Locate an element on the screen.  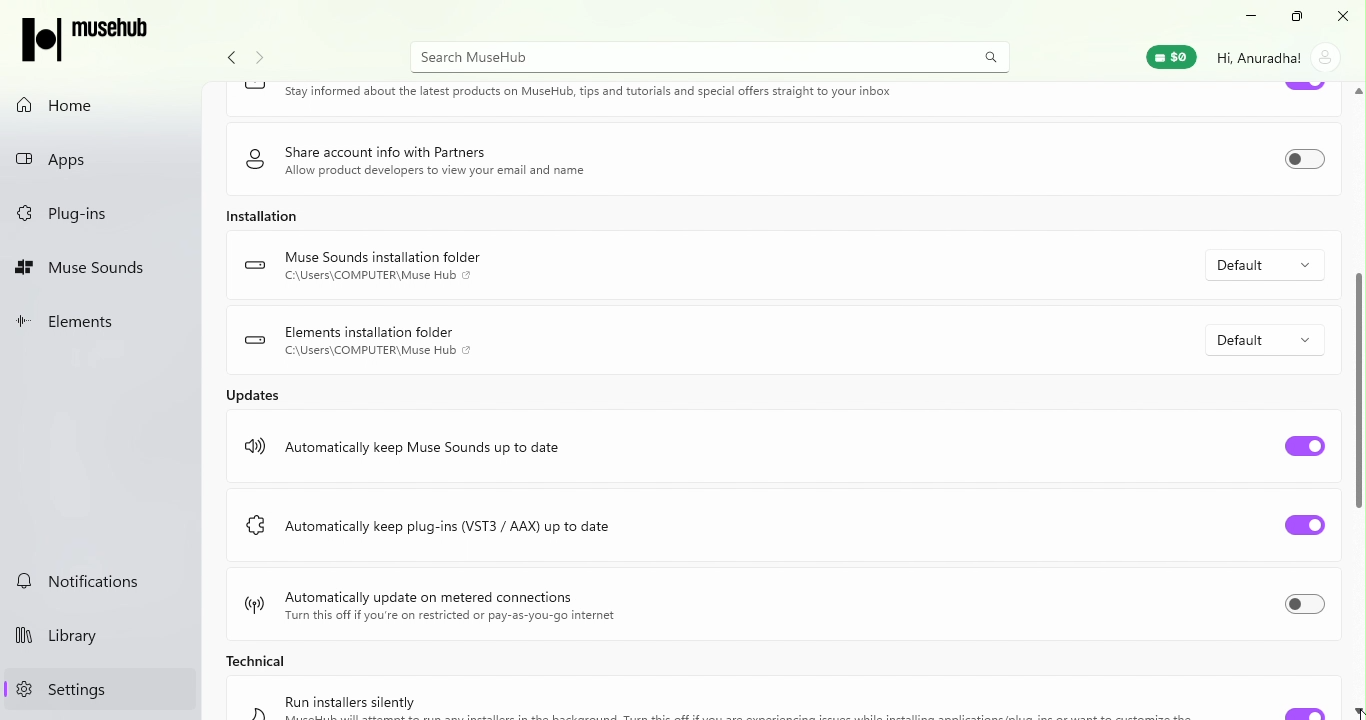
Toggle is located at coordinates (1304, 603).